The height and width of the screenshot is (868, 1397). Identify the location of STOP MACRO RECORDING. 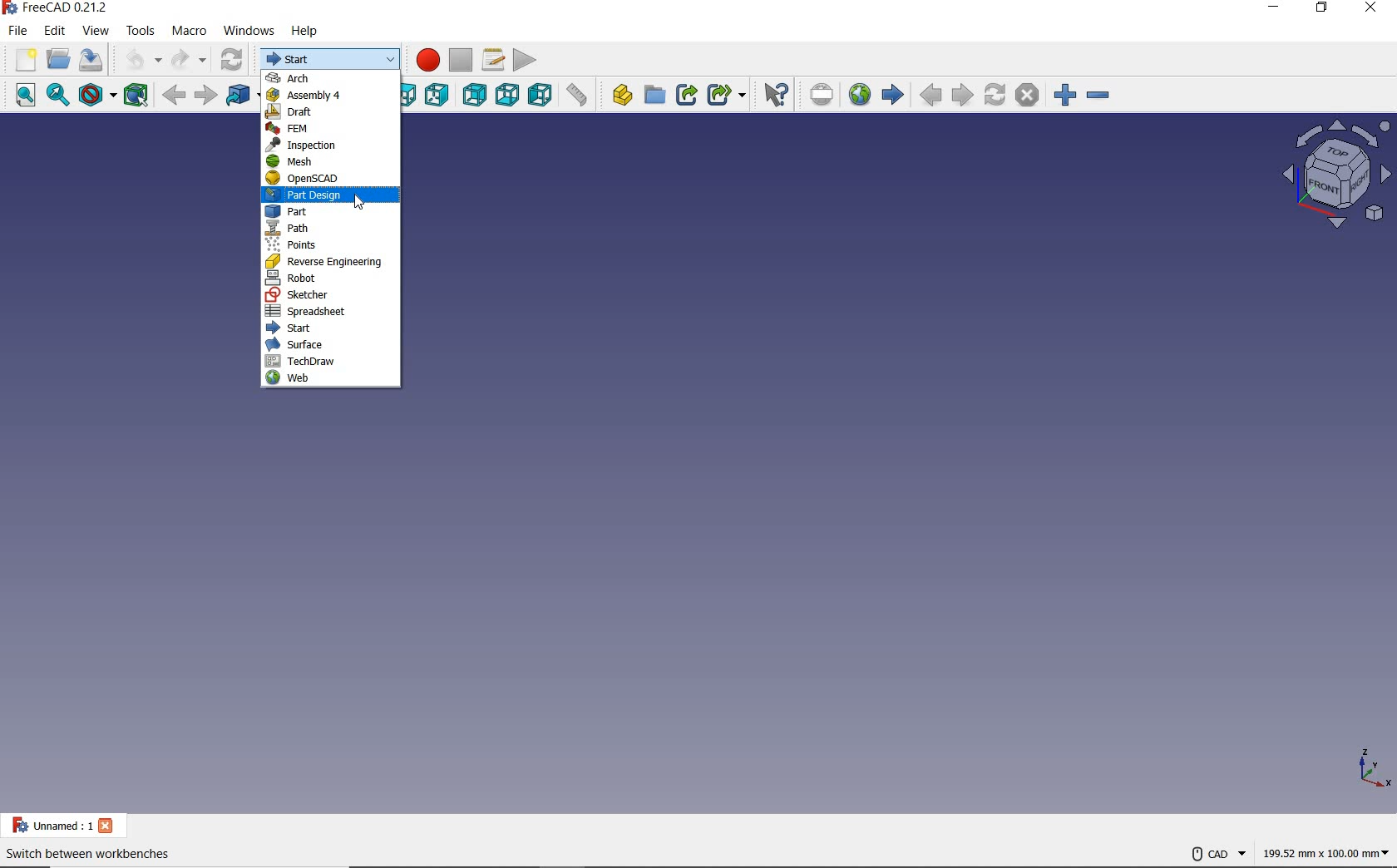
(462, 59).